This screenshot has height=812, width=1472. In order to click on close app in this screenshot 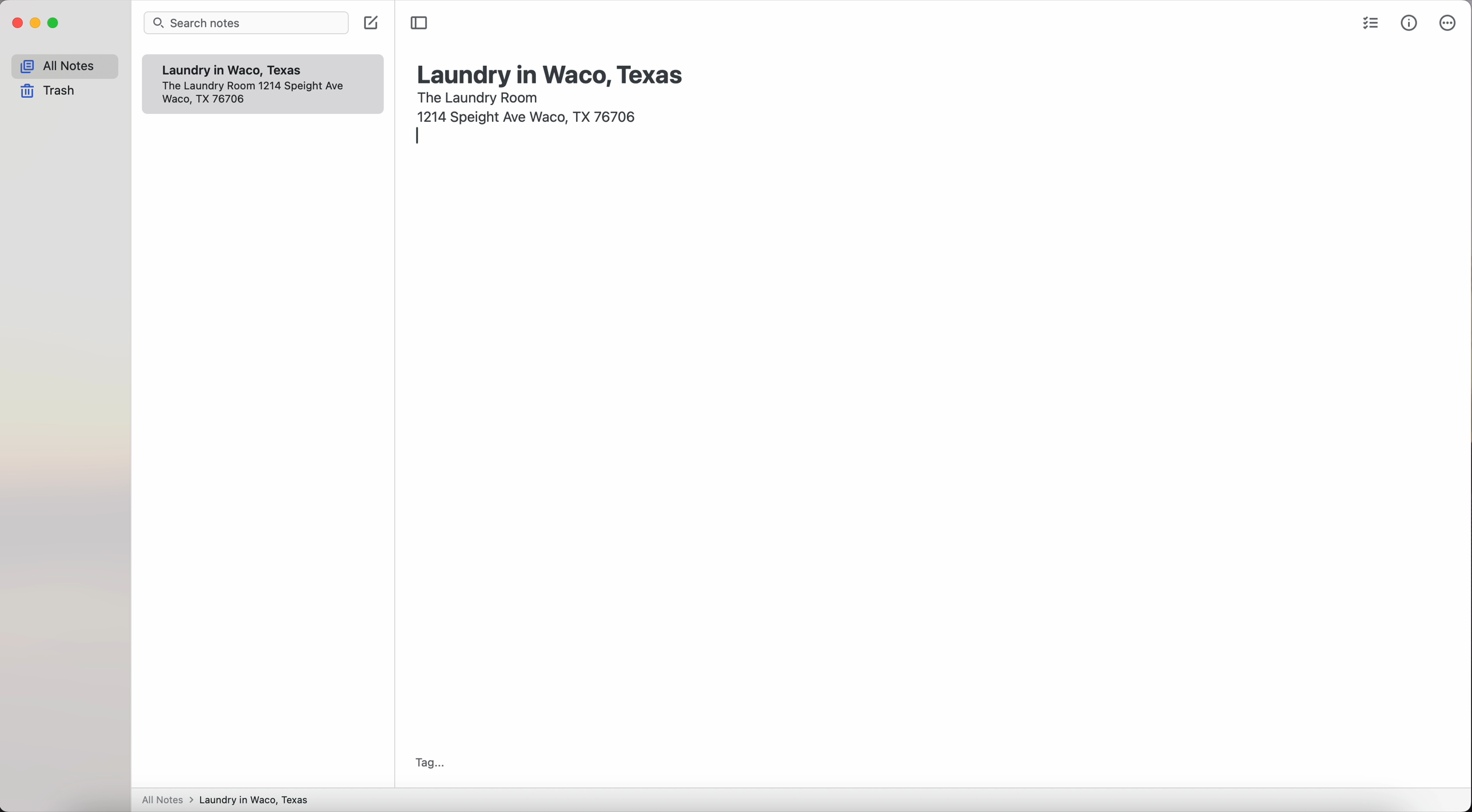, I will do `click(18, 23)`.